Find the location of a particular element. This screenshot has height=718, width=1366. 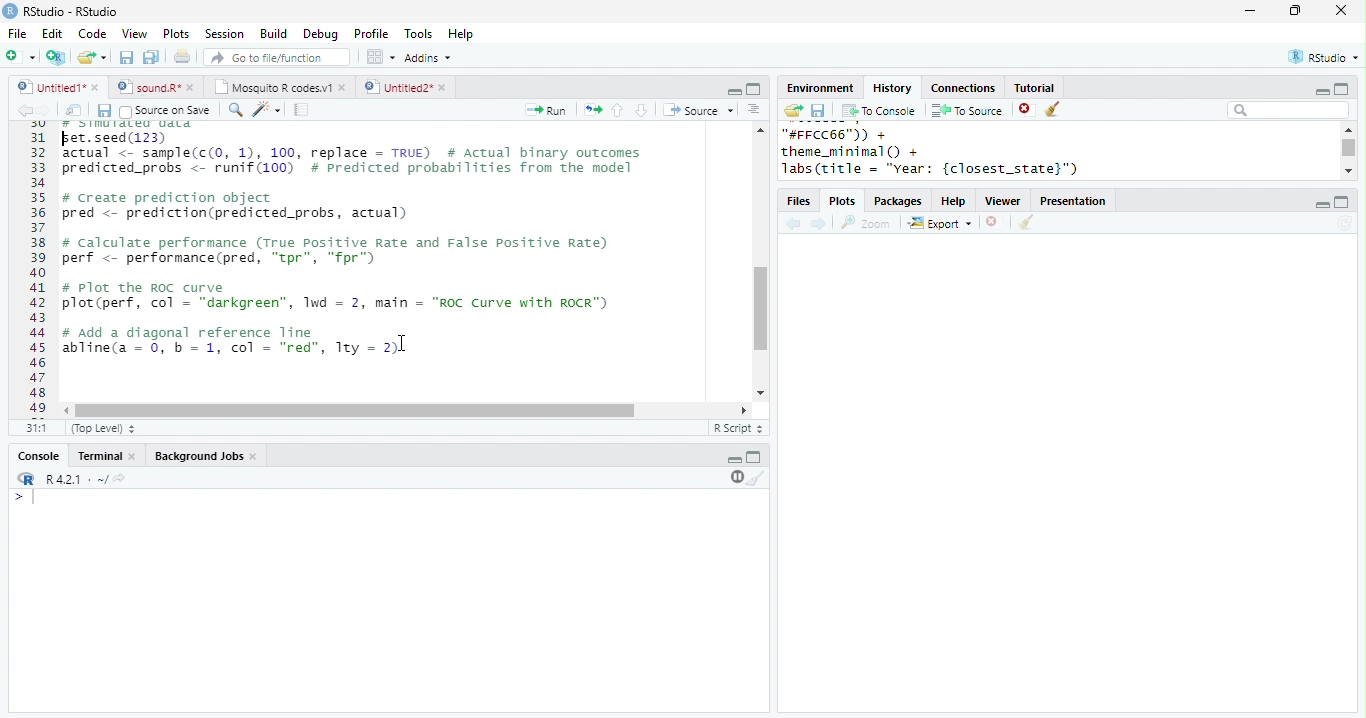

# Plot the ROC curveplot(perf, col - "darkgreen”, 1wd = 2, main = "ROC Curve with ROCR") is located at coordinates (339, 297).